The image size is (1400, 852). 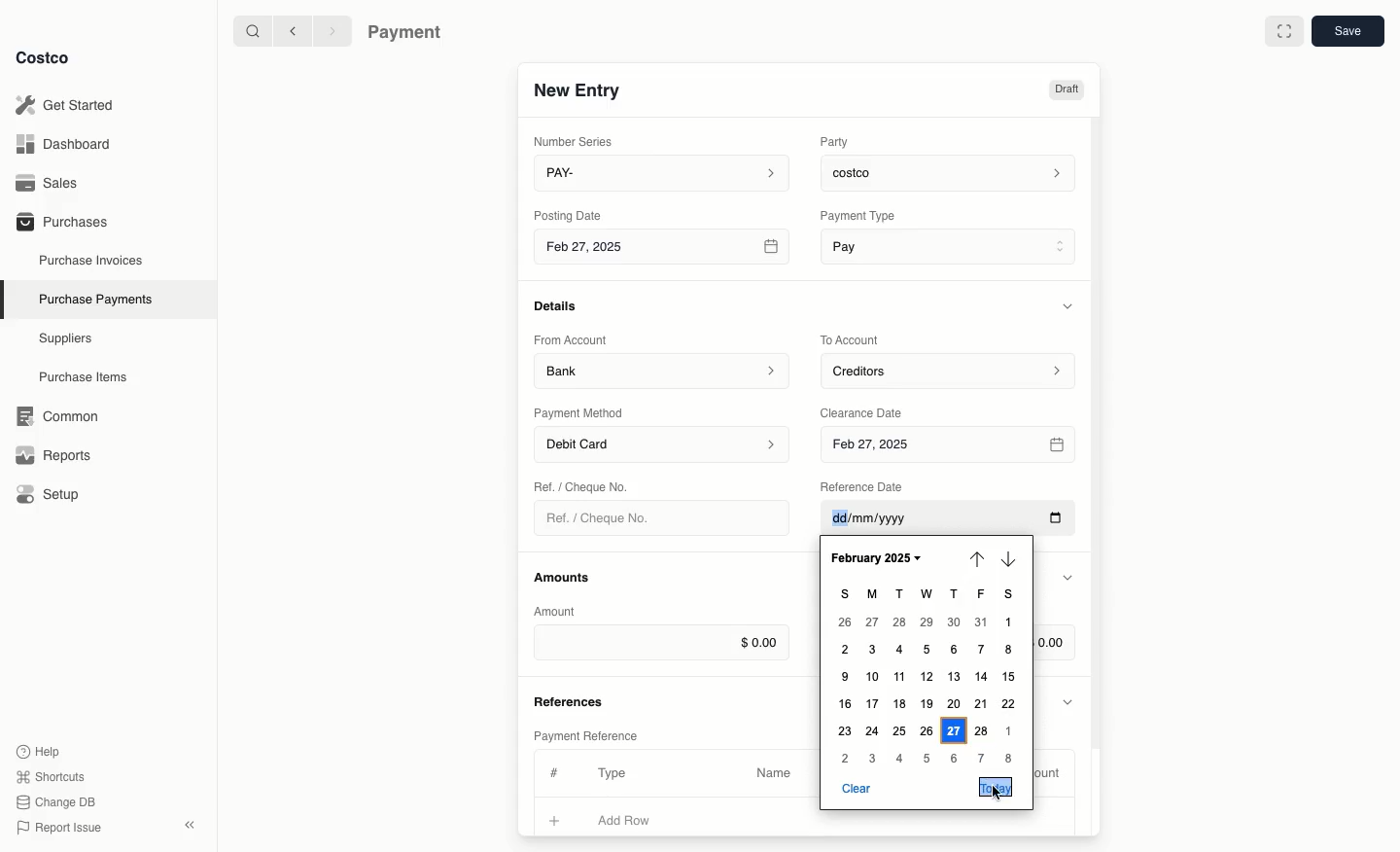 I want to click on Full width toggle, so click(x=1284, y=34).